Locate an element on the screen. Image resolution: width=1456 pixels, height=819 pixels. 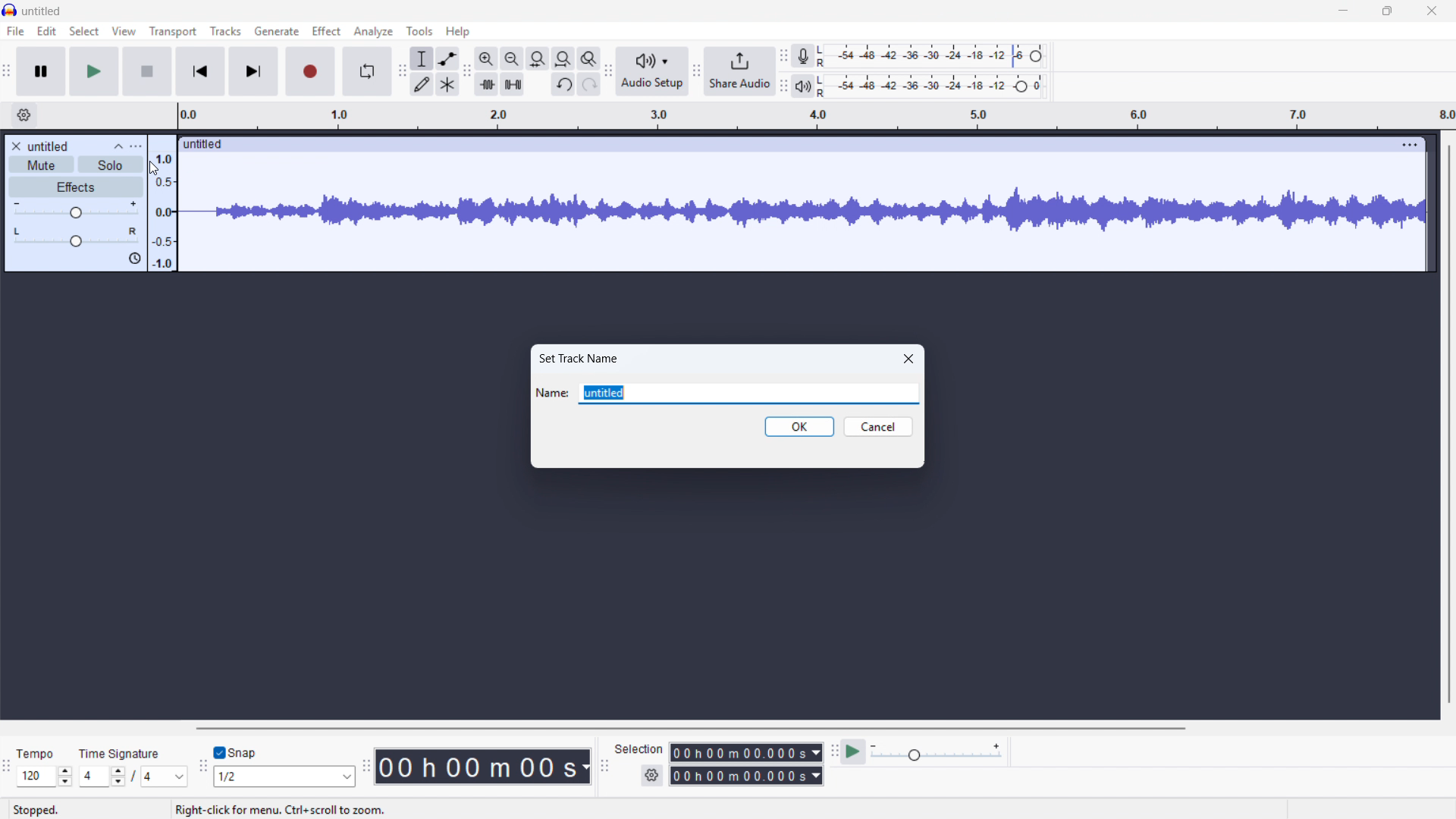
Fit project to width  is located at coordinates (538, 59).